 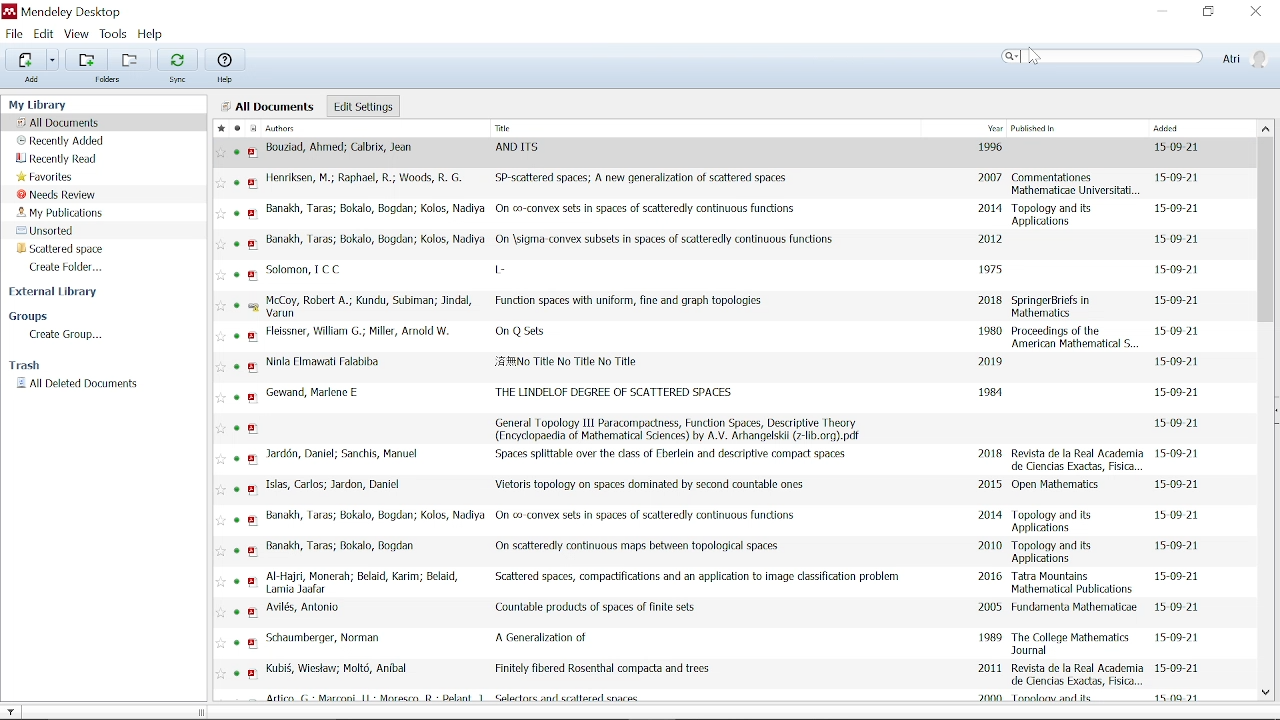 What do you see at coordinates (15, 33) in the screenshot?
I see `File` at bounding box center [15, 33].